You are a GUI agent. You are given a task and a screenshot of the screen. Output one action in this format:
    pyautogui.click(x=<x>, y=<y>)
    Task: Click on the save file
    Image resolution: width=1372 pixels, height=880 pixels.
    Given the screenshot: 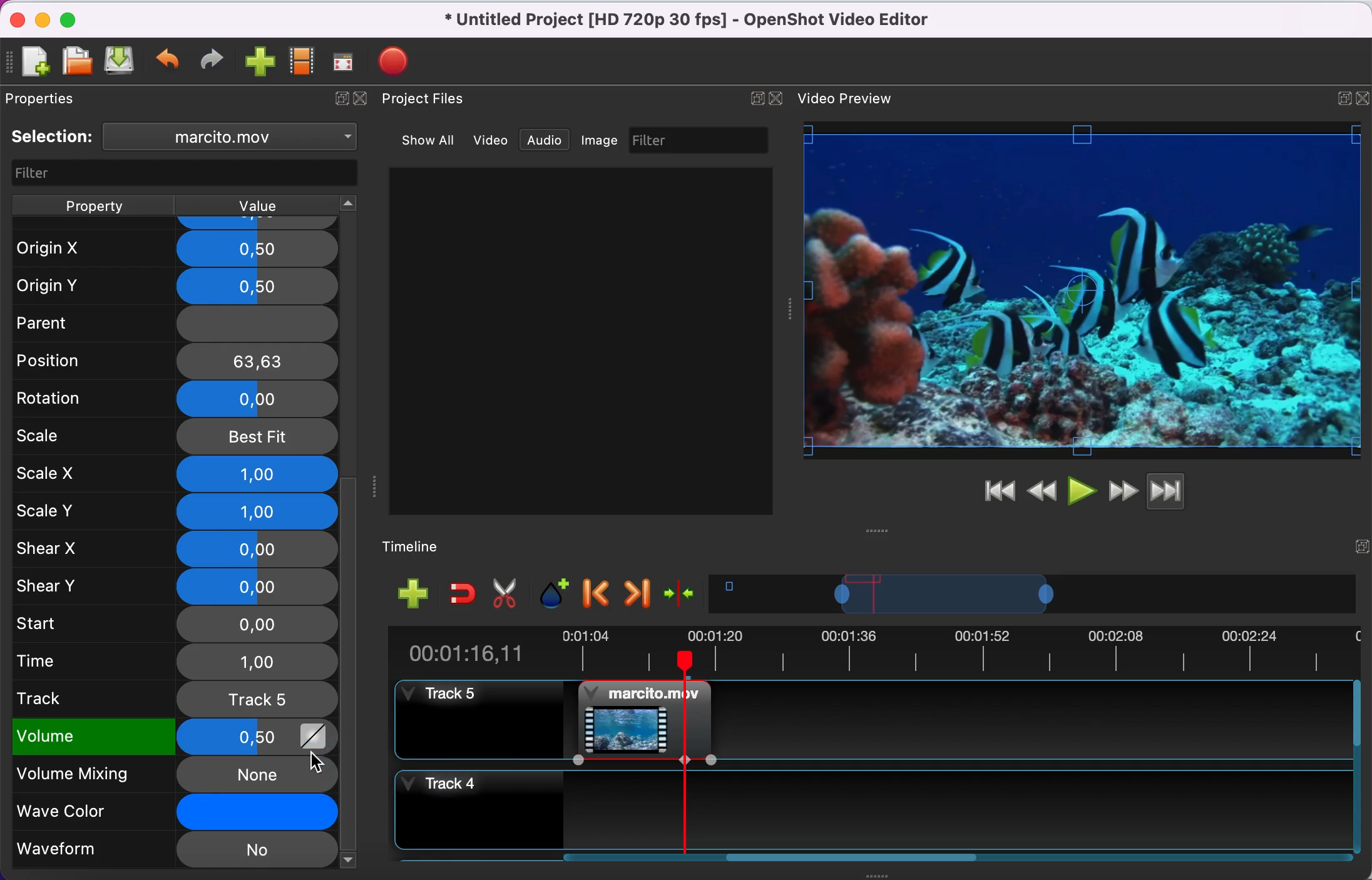 What is the action you would take?
    pyautogui.click(x=121, y=63)
    